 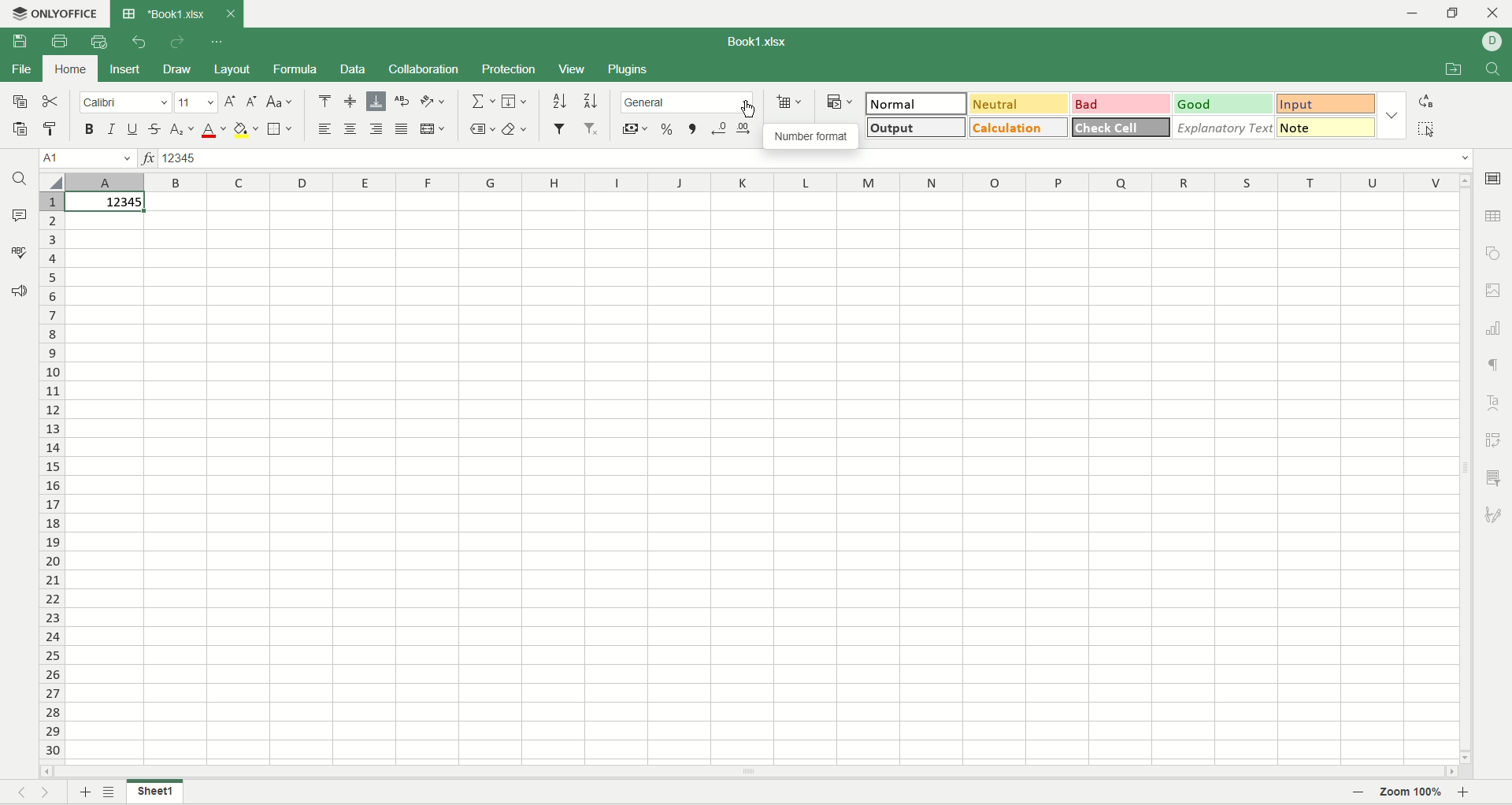 I want to click on style options, so click(x=1392, y=115).